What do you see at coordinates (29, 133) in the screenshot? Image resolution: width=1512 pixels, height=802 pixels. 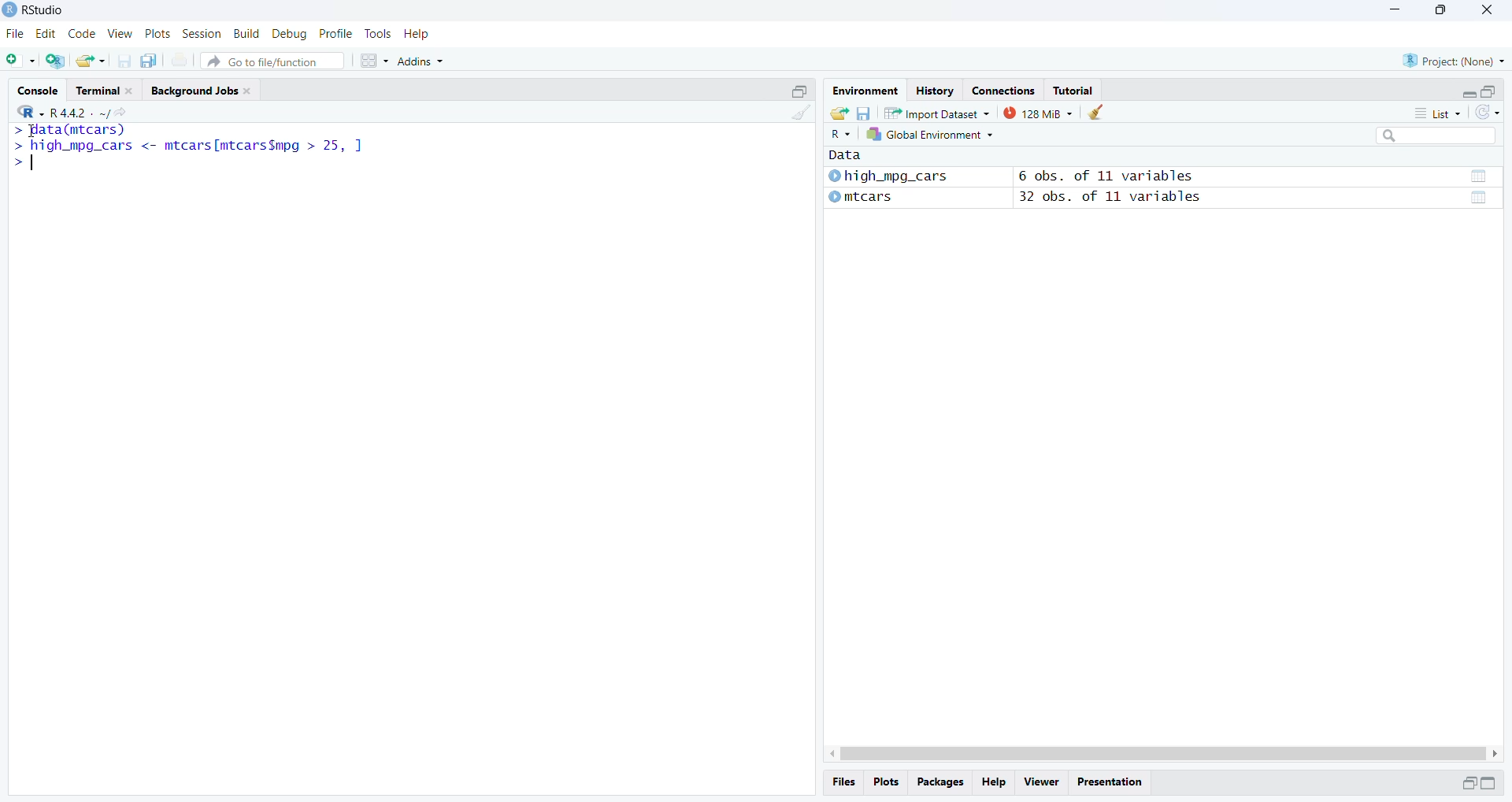 I see `cursor` at bounding box center [29, 133].